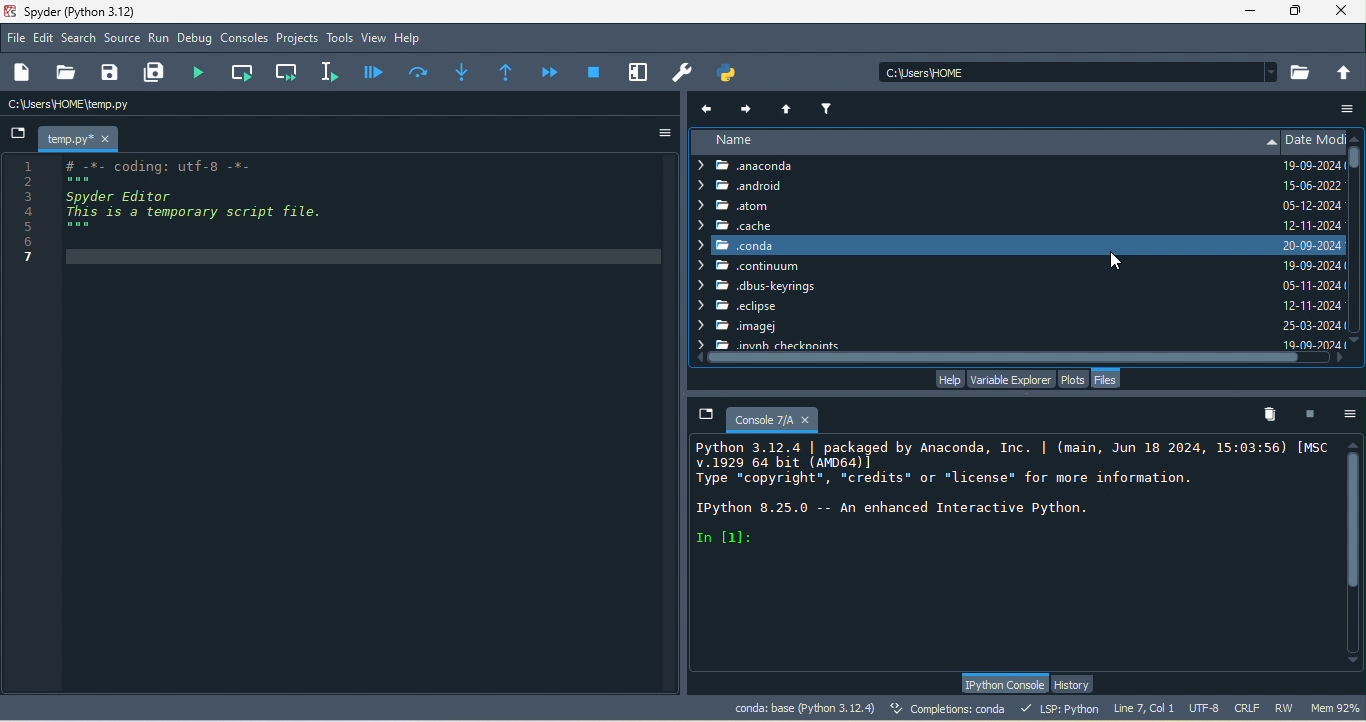 The image size is (1366, 722). Describe the element at coordinates (732, 73) in the screenshot. I see `pythonpath manager` at that location.